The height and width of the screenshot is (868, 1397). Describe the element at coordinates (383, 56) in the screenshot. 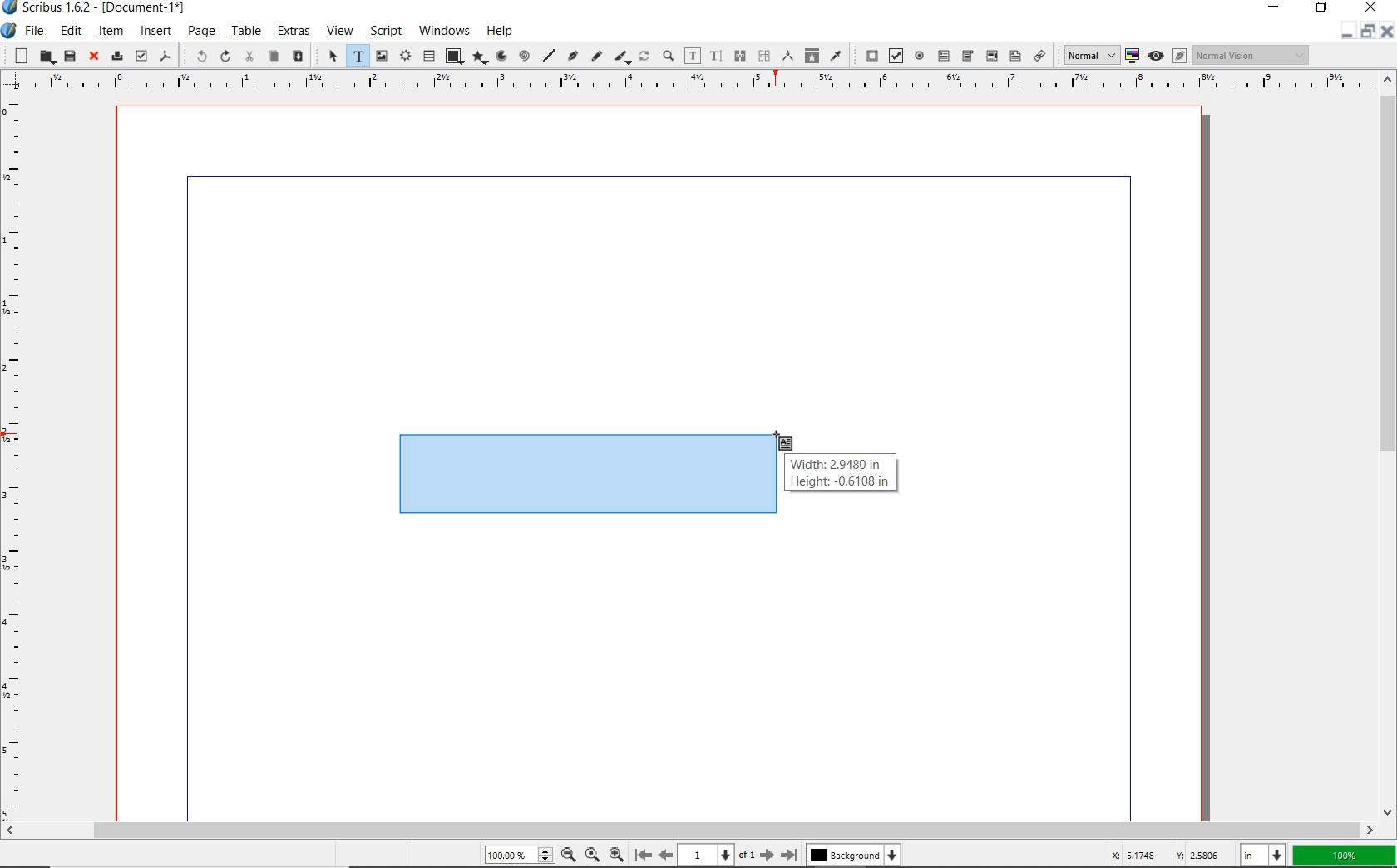

I see `image frame` at that location.